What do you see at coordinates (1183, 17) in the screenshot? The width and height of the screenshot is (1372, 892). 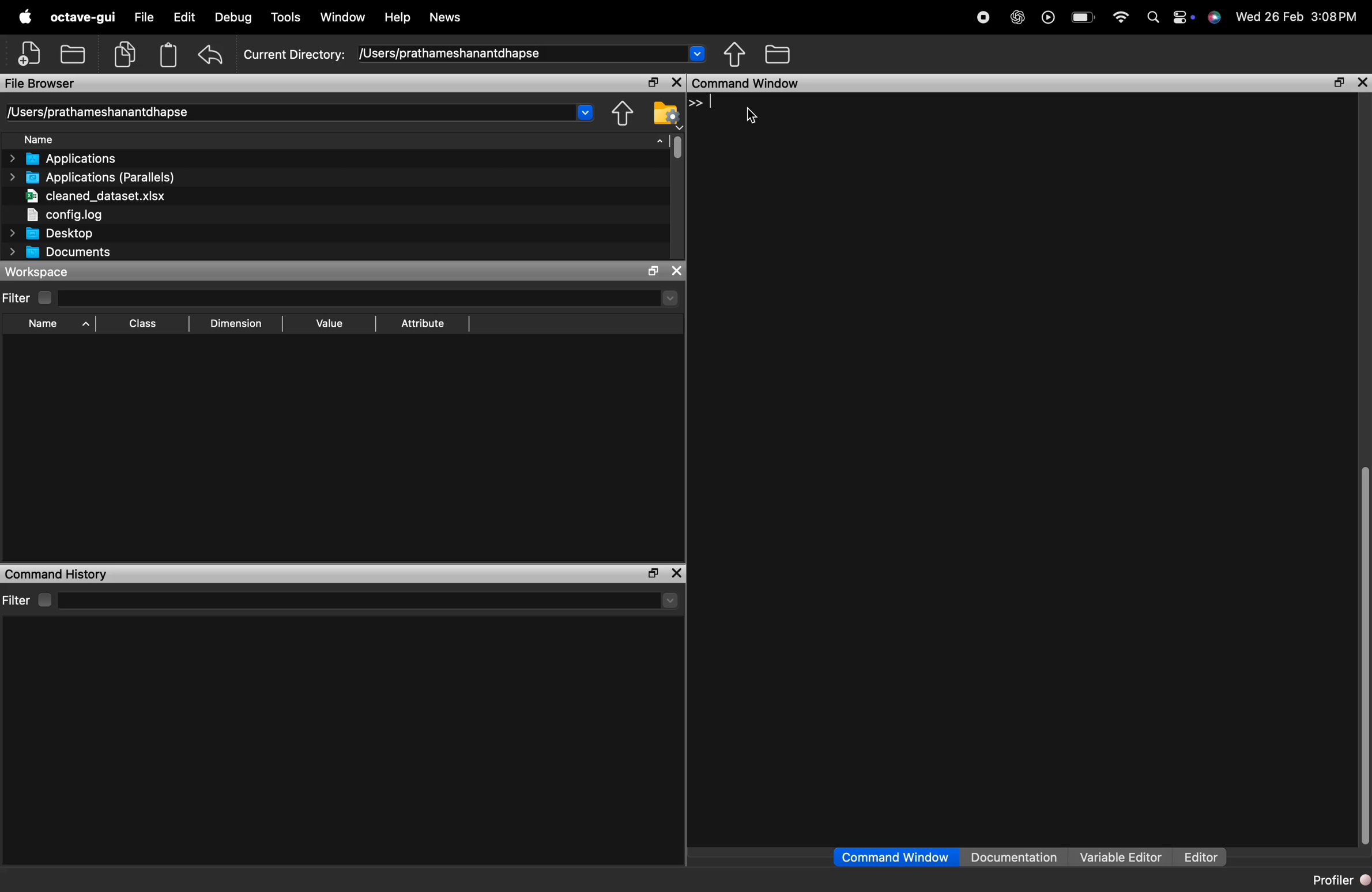 I see `control center` at bounding box center [1183, 17].